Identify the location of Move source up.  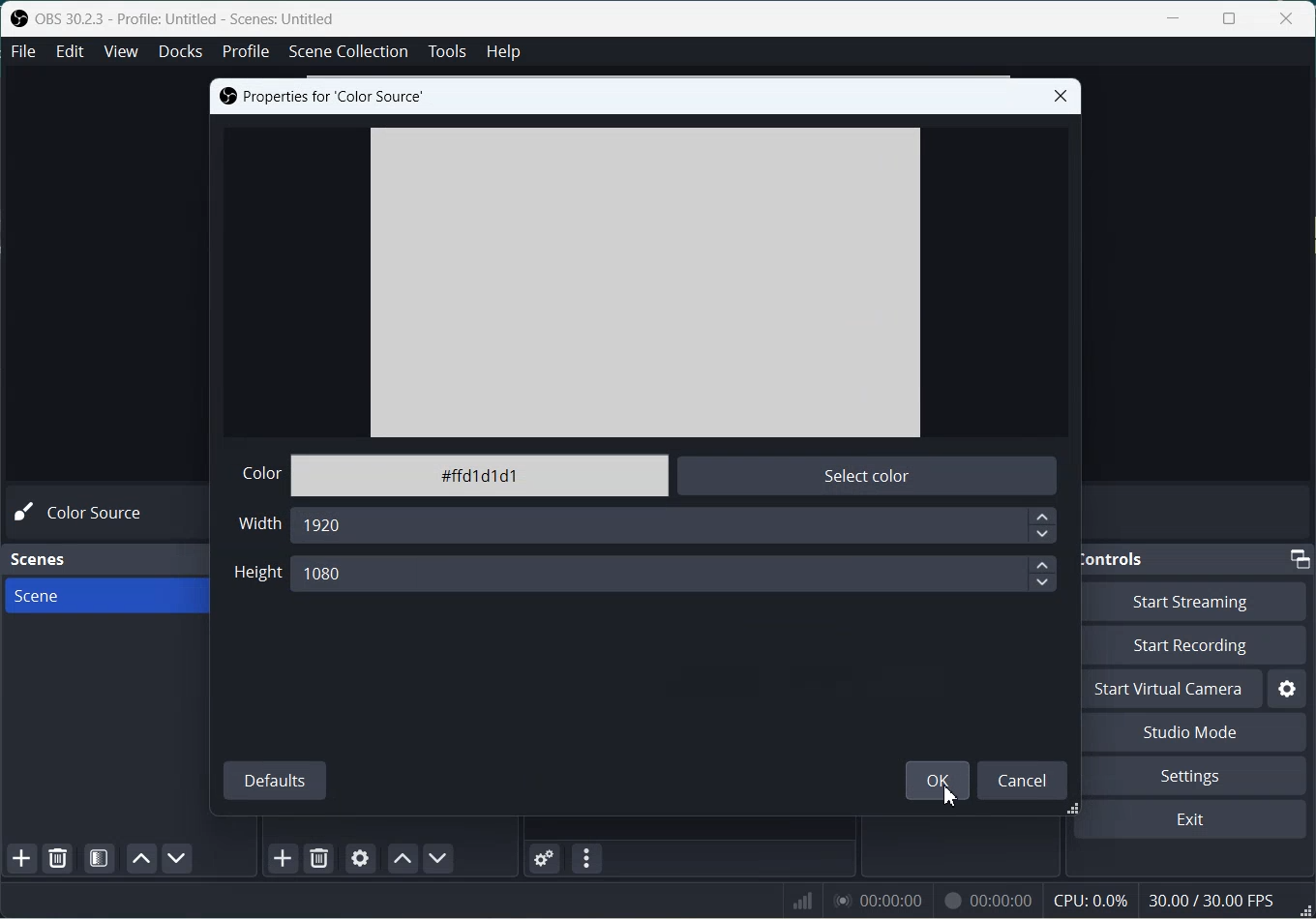
(402, 859).